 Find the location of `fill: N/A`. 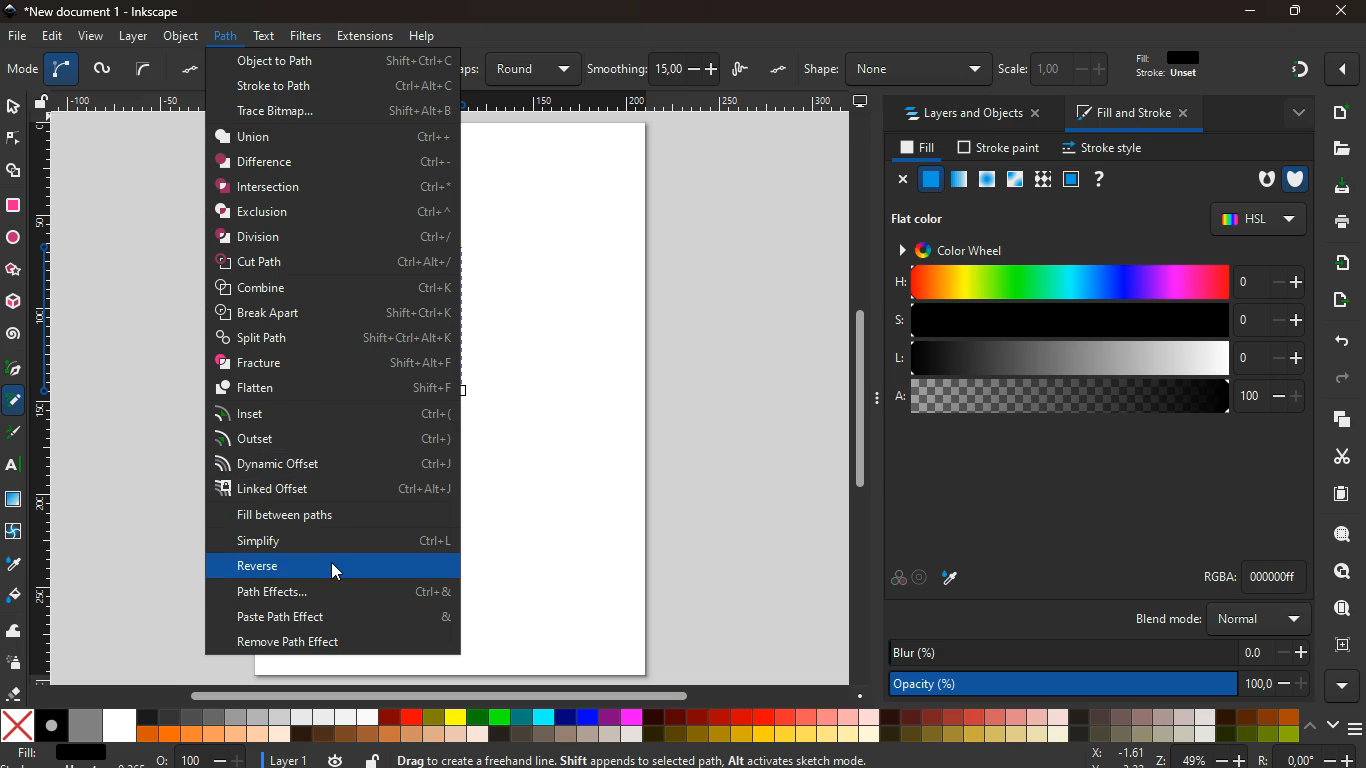

fill: N/A is located at coordinates (57, 753).